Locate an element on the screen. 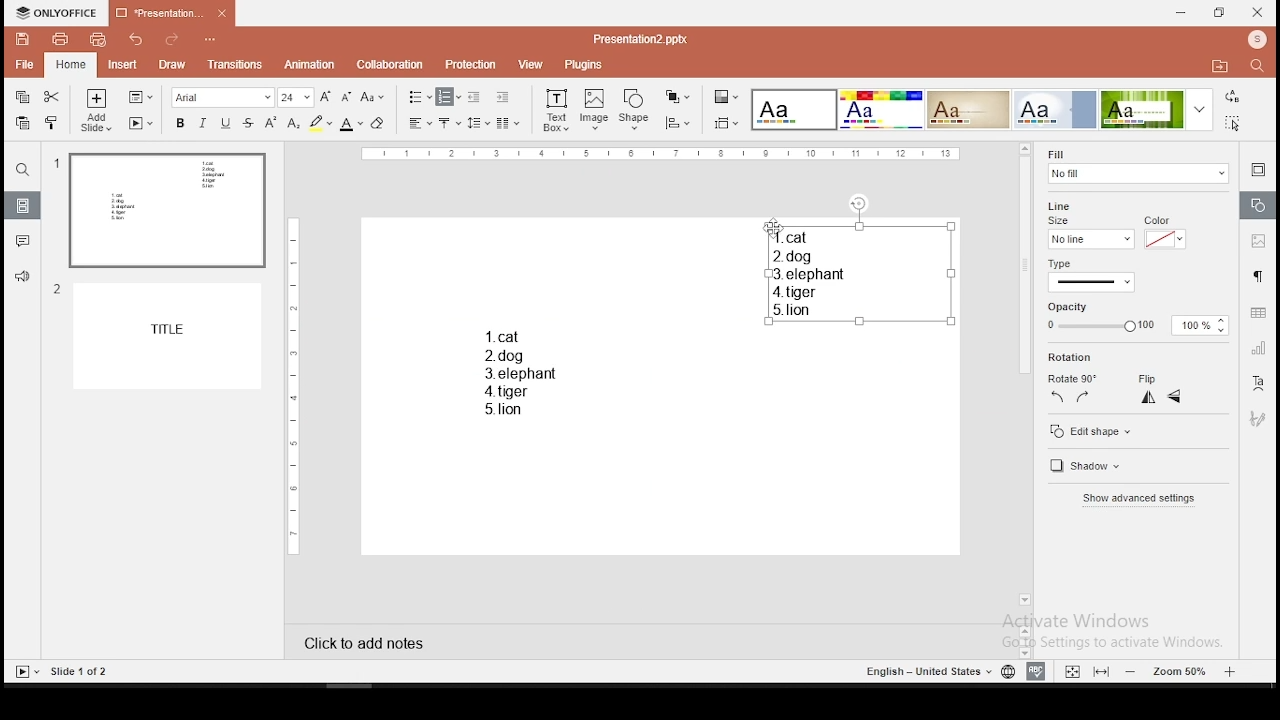  presentation is located at coordinates (172, 14).